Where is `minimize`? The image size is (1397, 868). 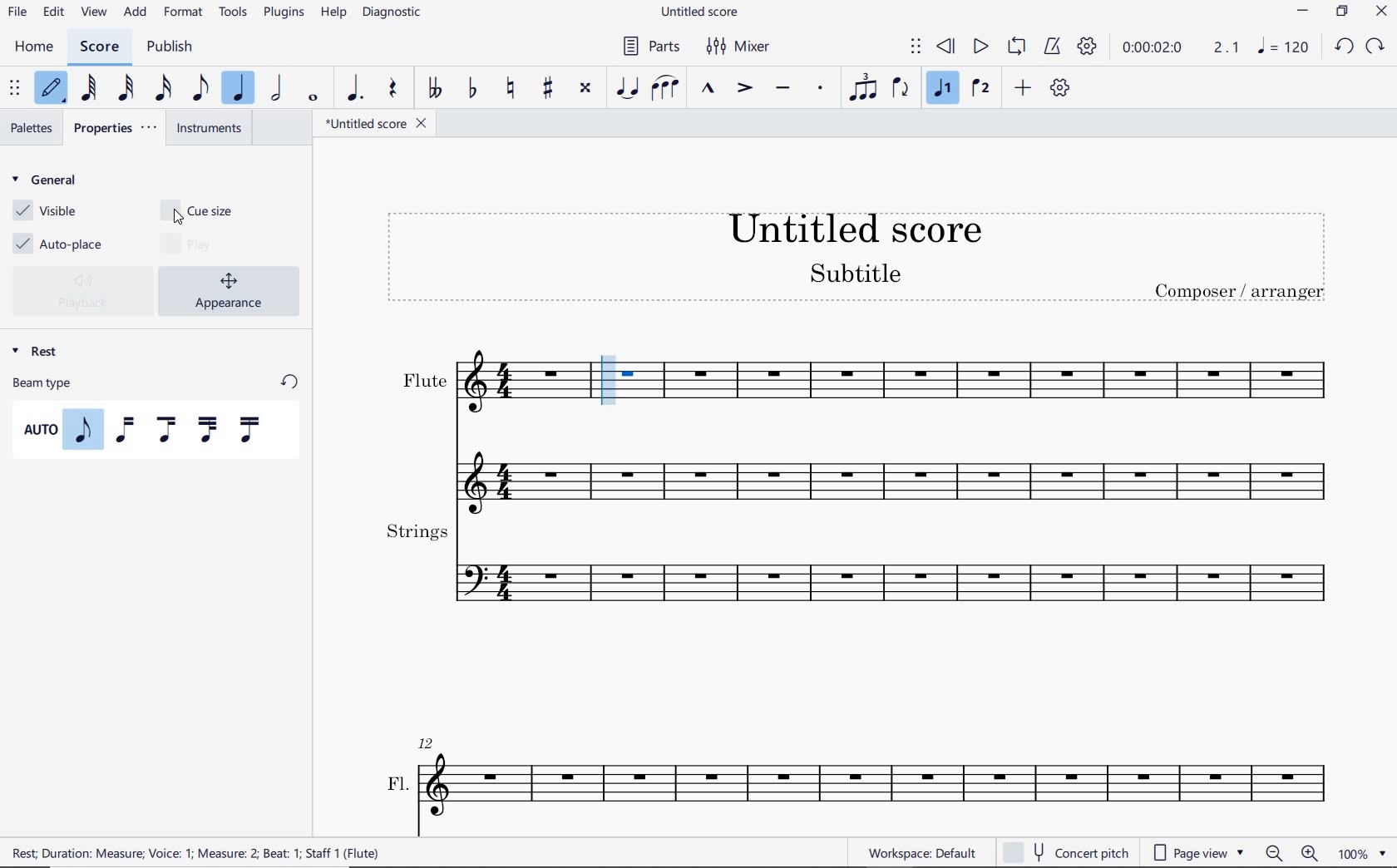
minimize is located at coordinates (1303, 13).